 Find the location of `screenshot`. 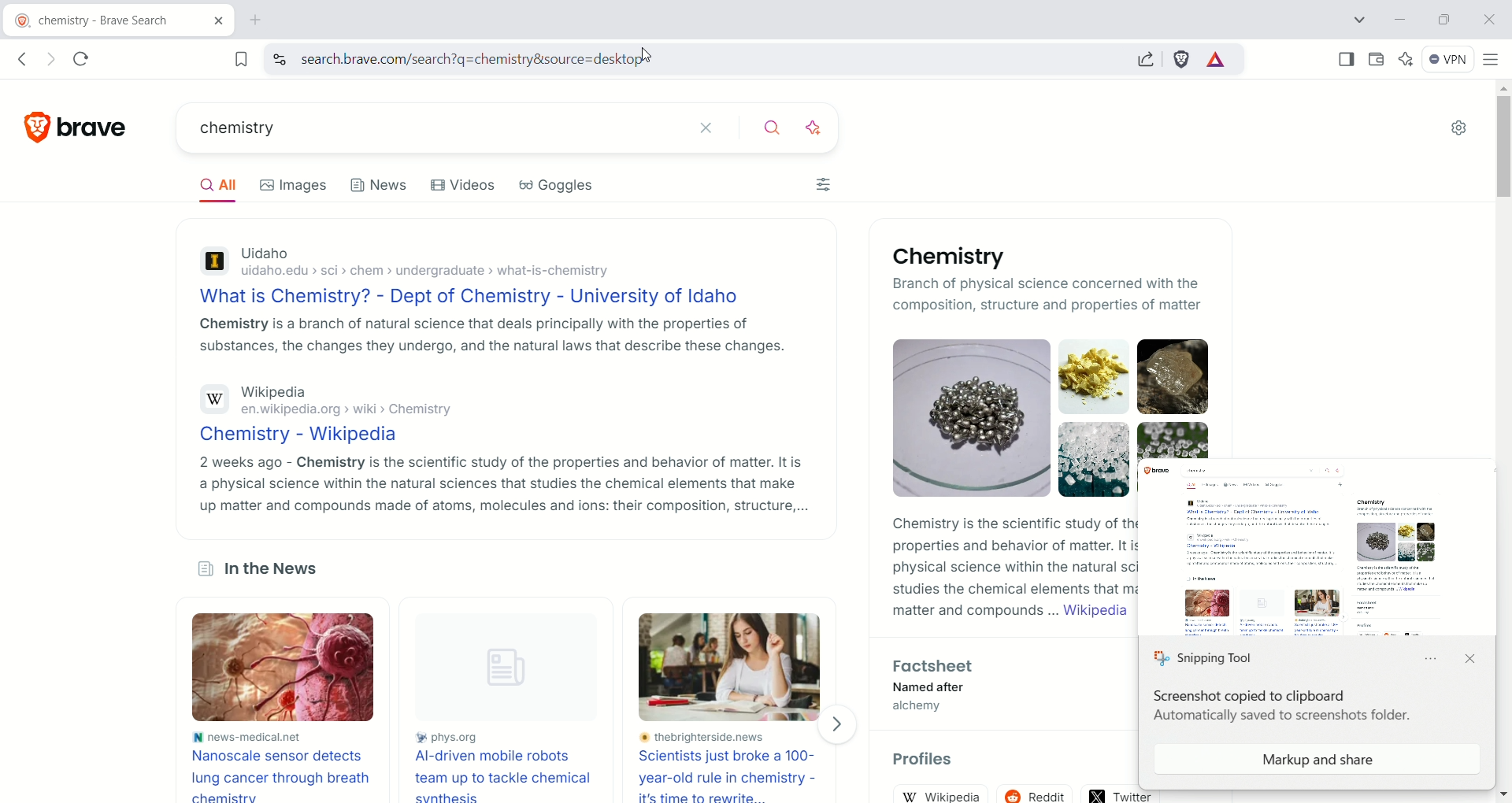

screenshot is located at coordinates (1314, 542).